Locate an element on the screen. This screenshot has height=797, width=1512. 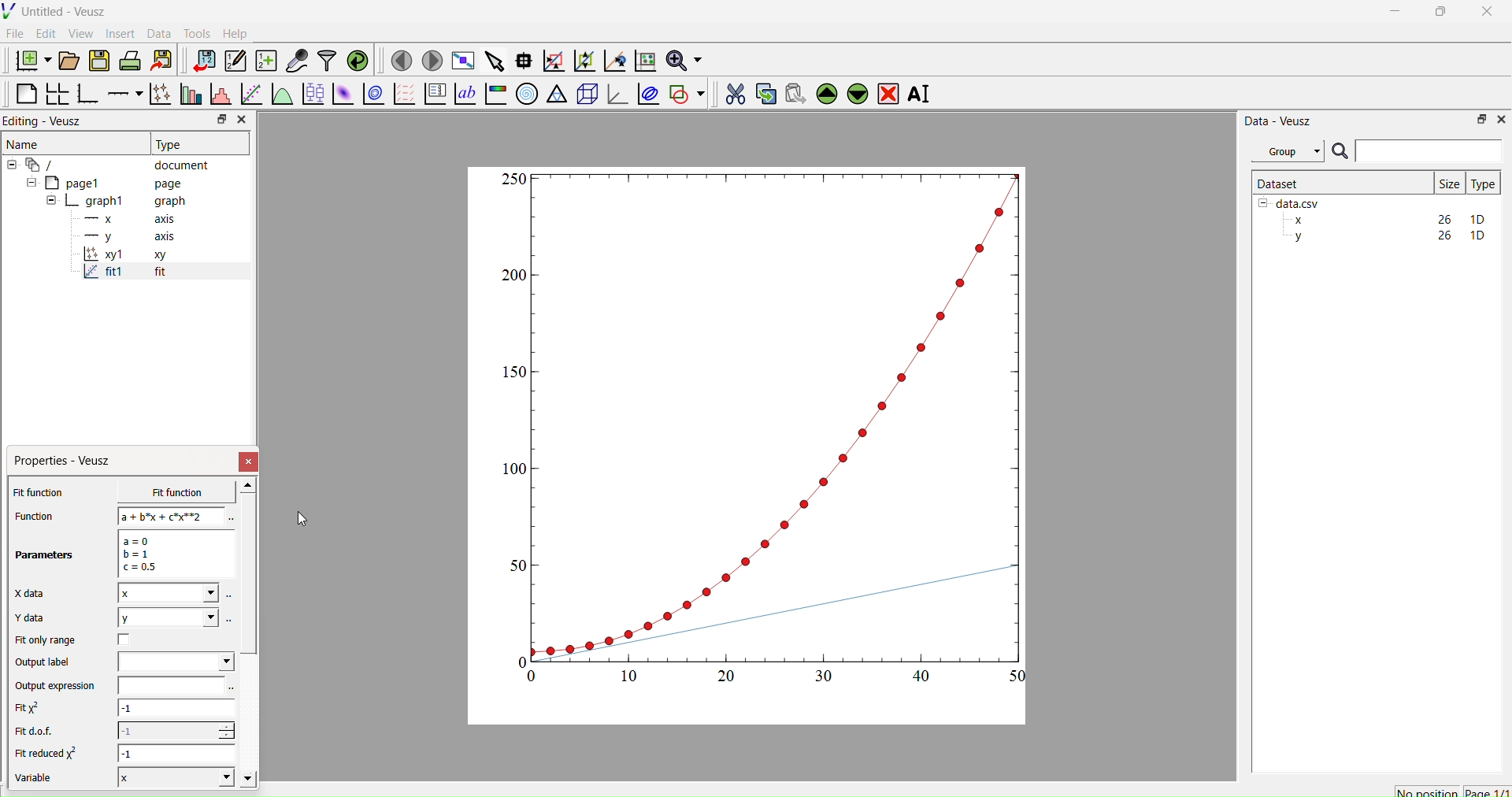
Input is located at coordinates (1429, 150).